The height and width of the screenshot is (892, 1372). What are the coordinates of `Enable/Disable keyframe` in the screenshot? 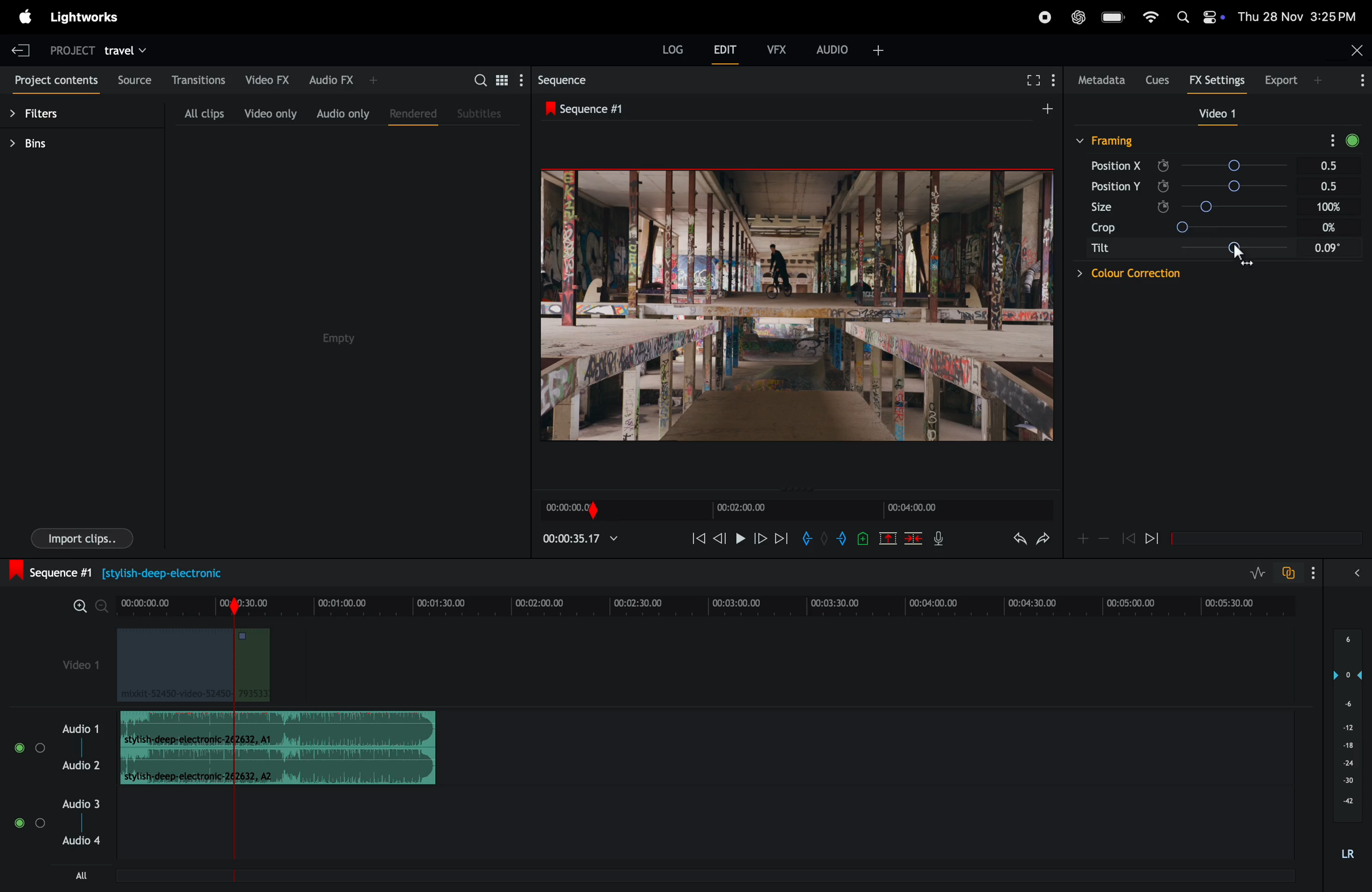 It's located at (1162, 184).